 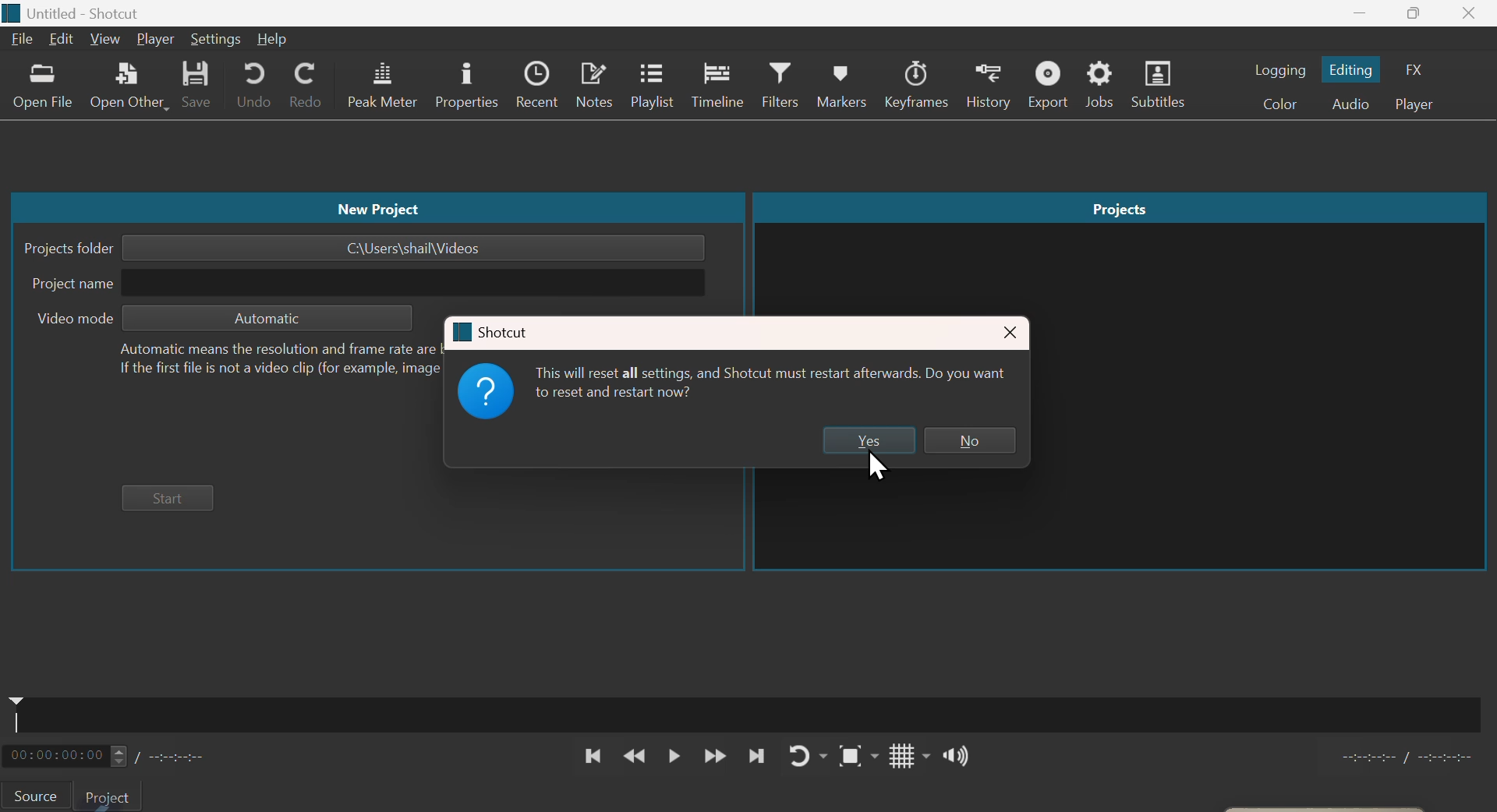 What do you see at coordinates (1414, 14) in the screenshot?
I see `Maximise` at bounding box center [1414, 14].